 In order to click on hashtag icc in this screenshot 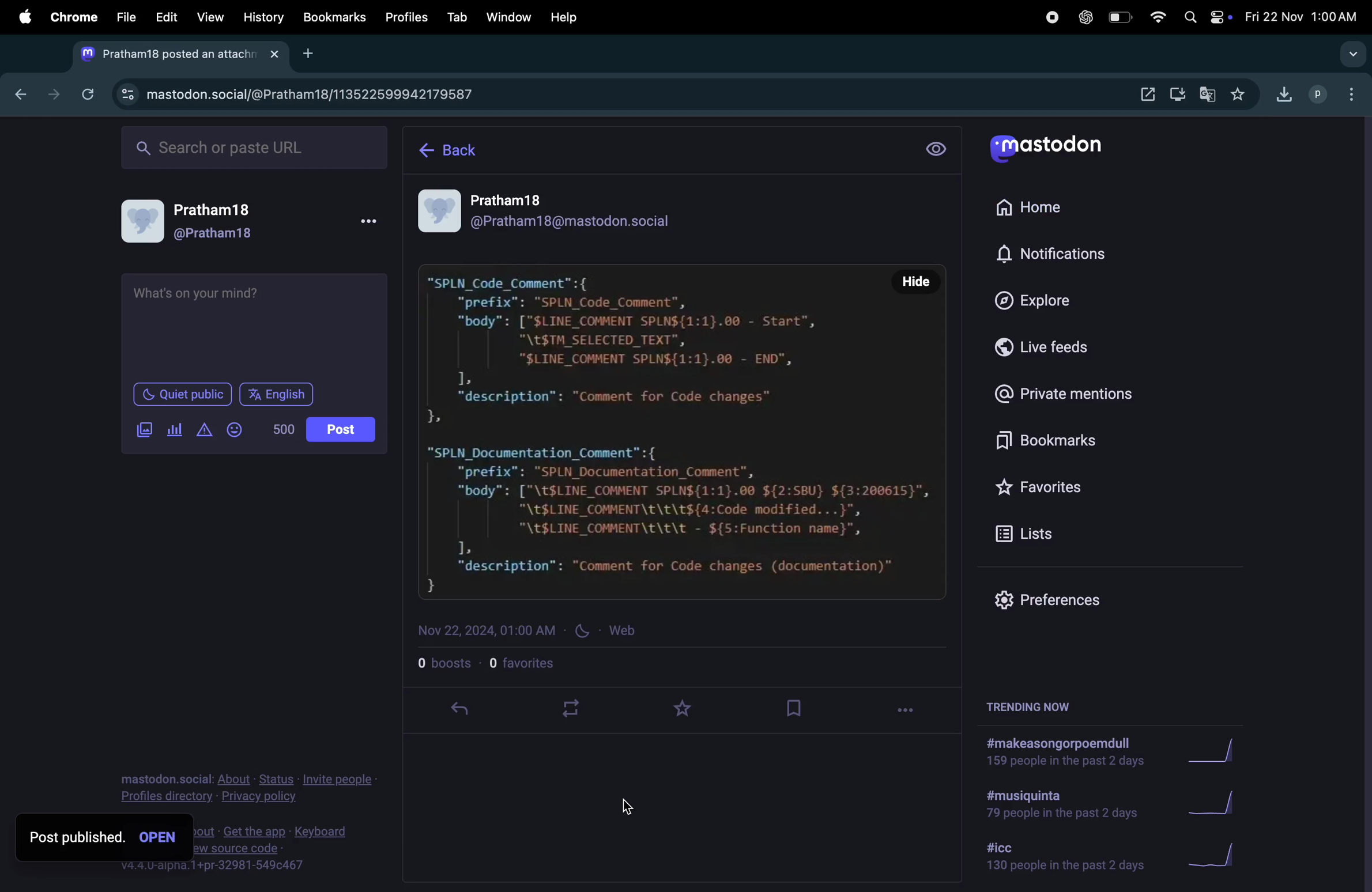, I will do `click(1057, 857)`.